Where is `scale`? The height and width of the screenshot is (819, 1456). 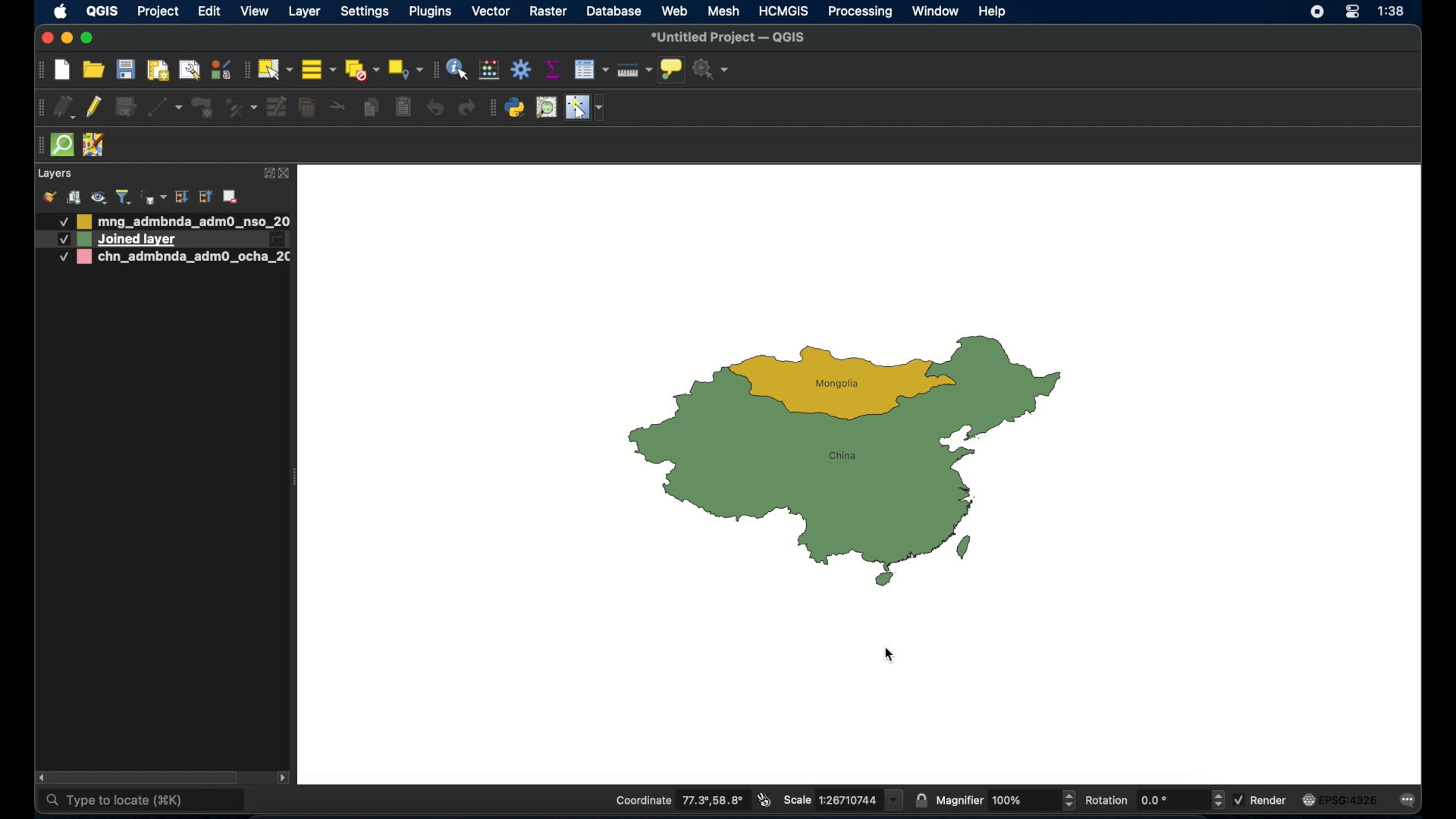 scale is located at coordinates (843, 799).